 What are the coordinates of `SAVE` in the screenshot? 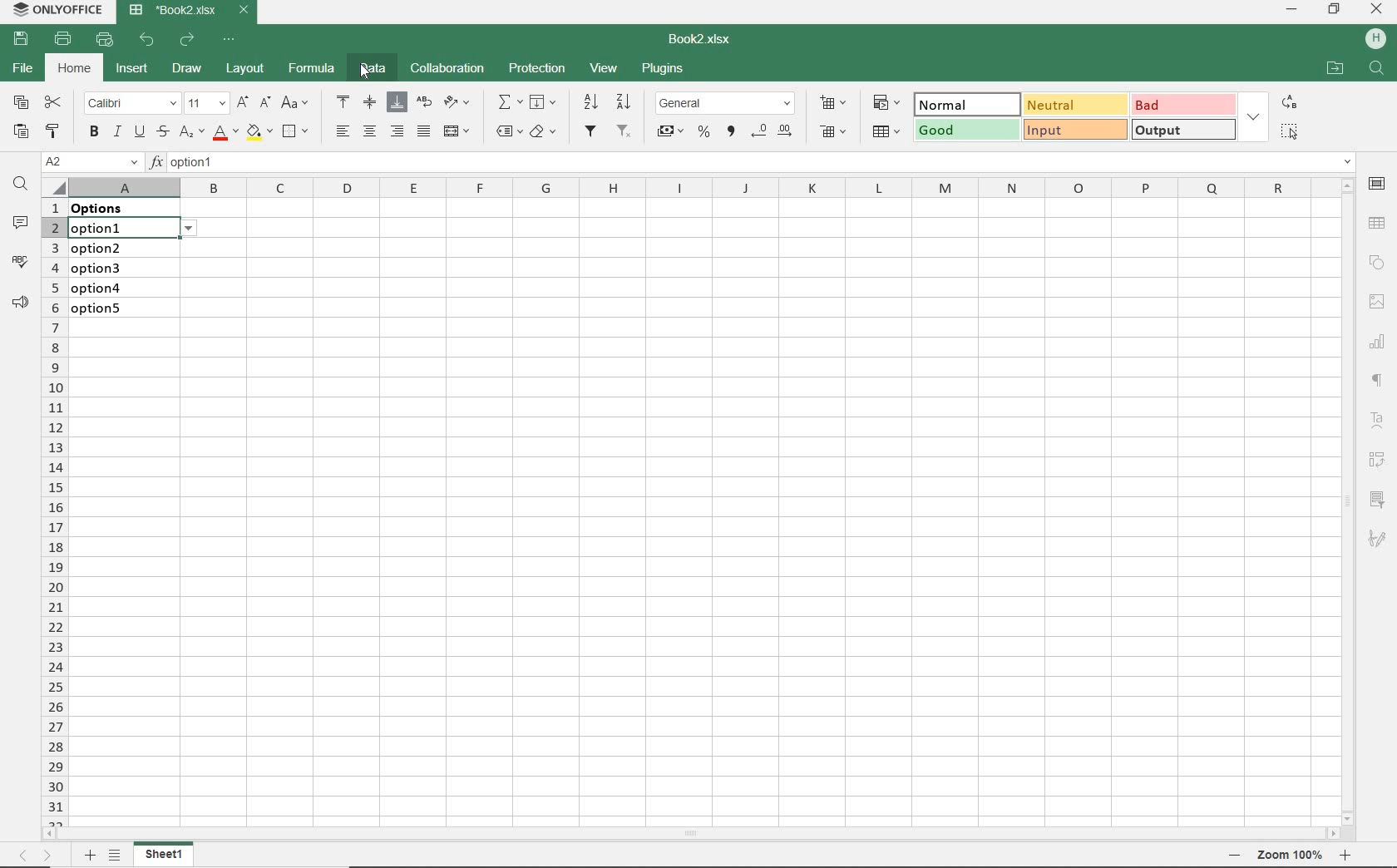 It's located at (21, 40).